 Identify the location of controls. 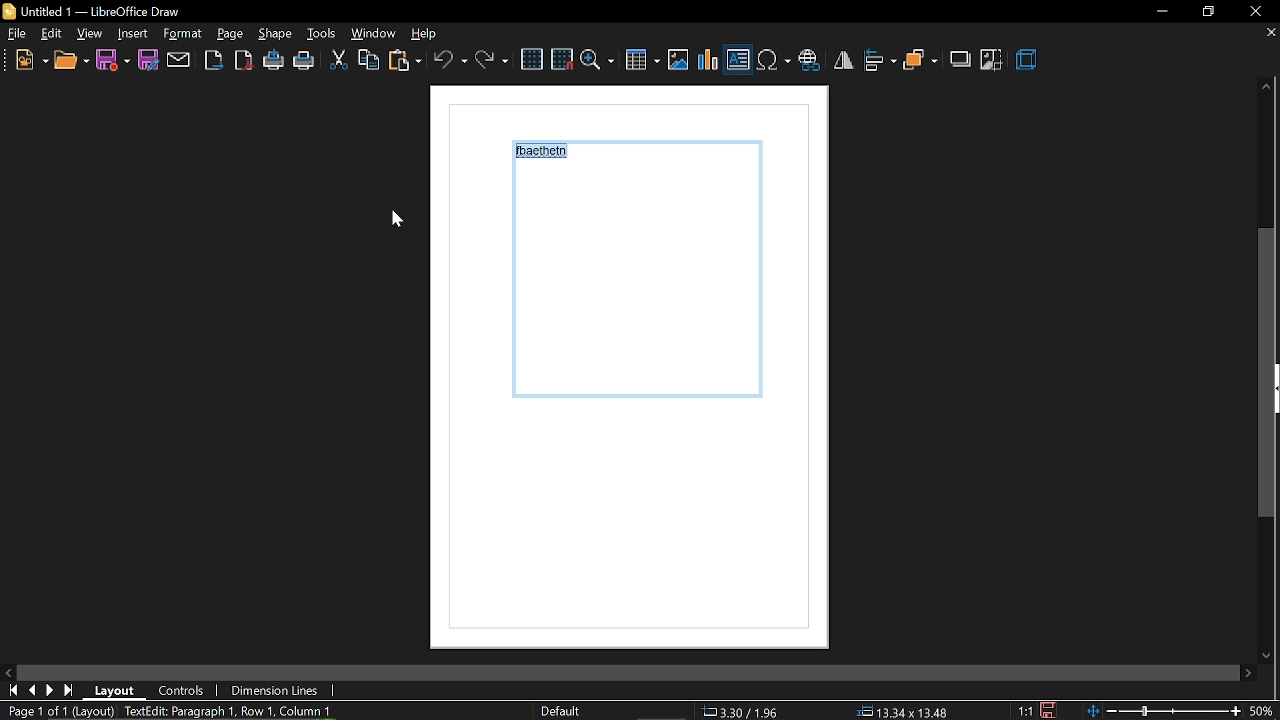
(184, 690).